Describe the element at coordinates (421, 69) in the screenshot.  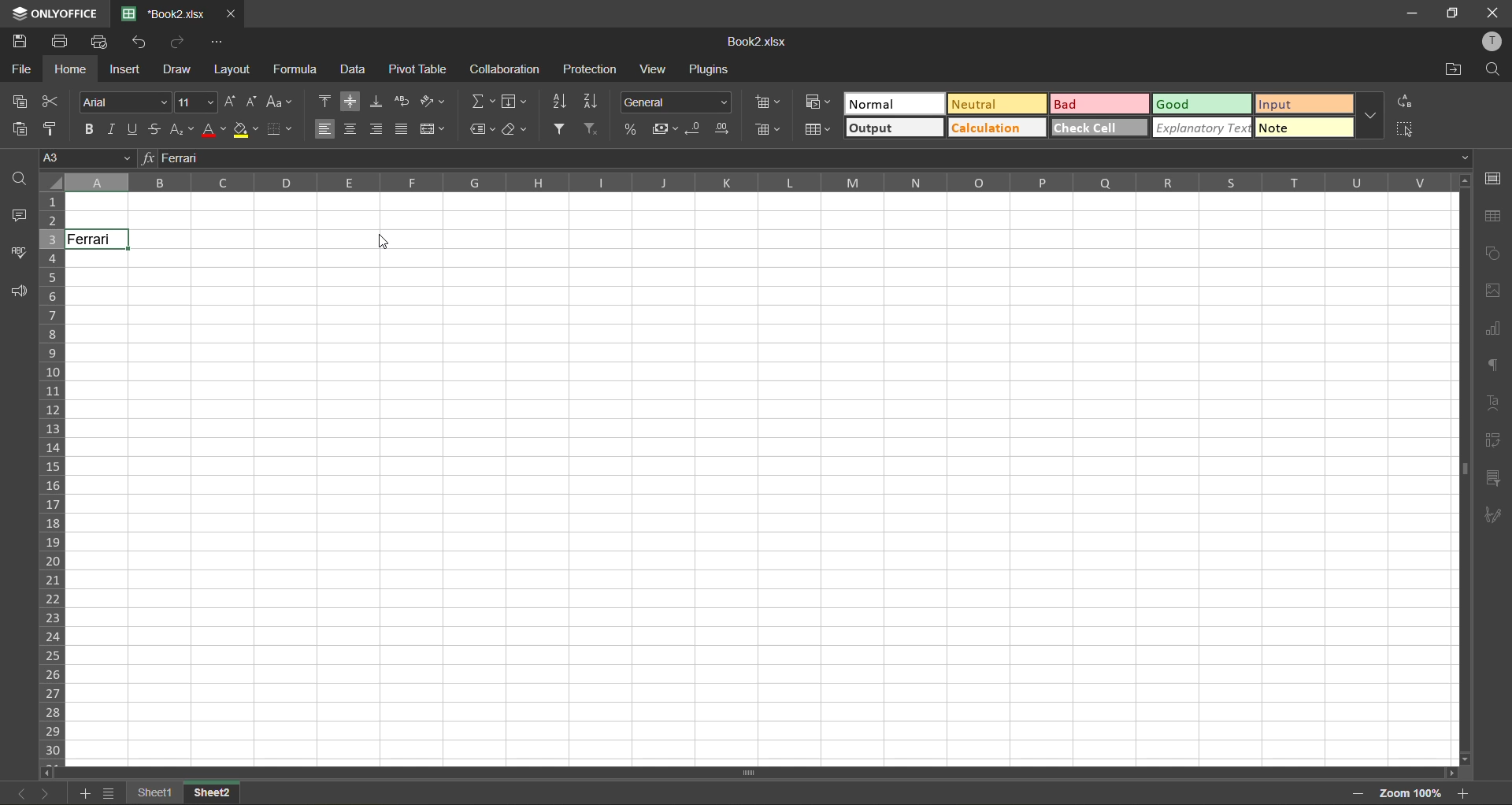
I see `pivot table` at that location.